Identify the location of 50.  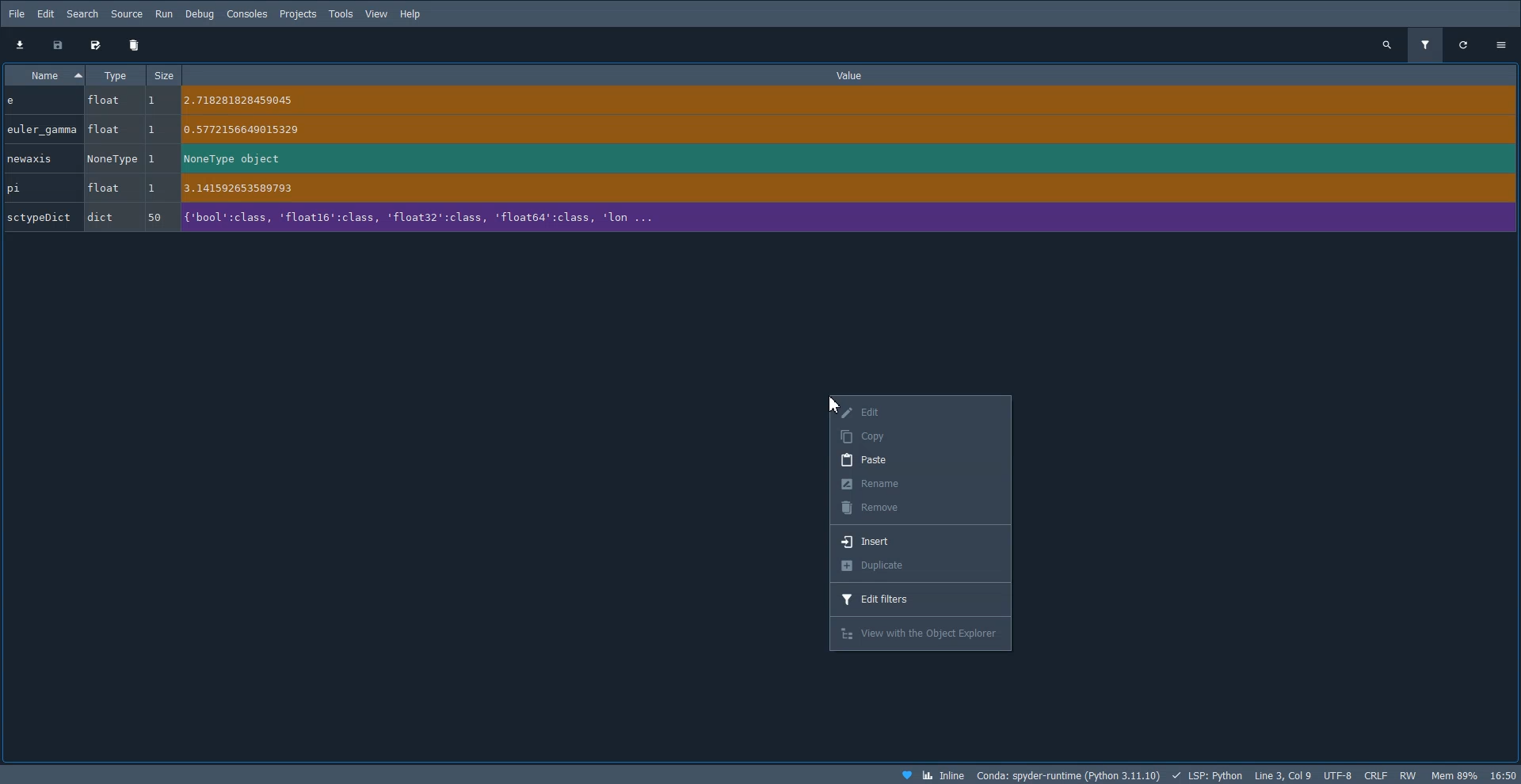
(153, 217).